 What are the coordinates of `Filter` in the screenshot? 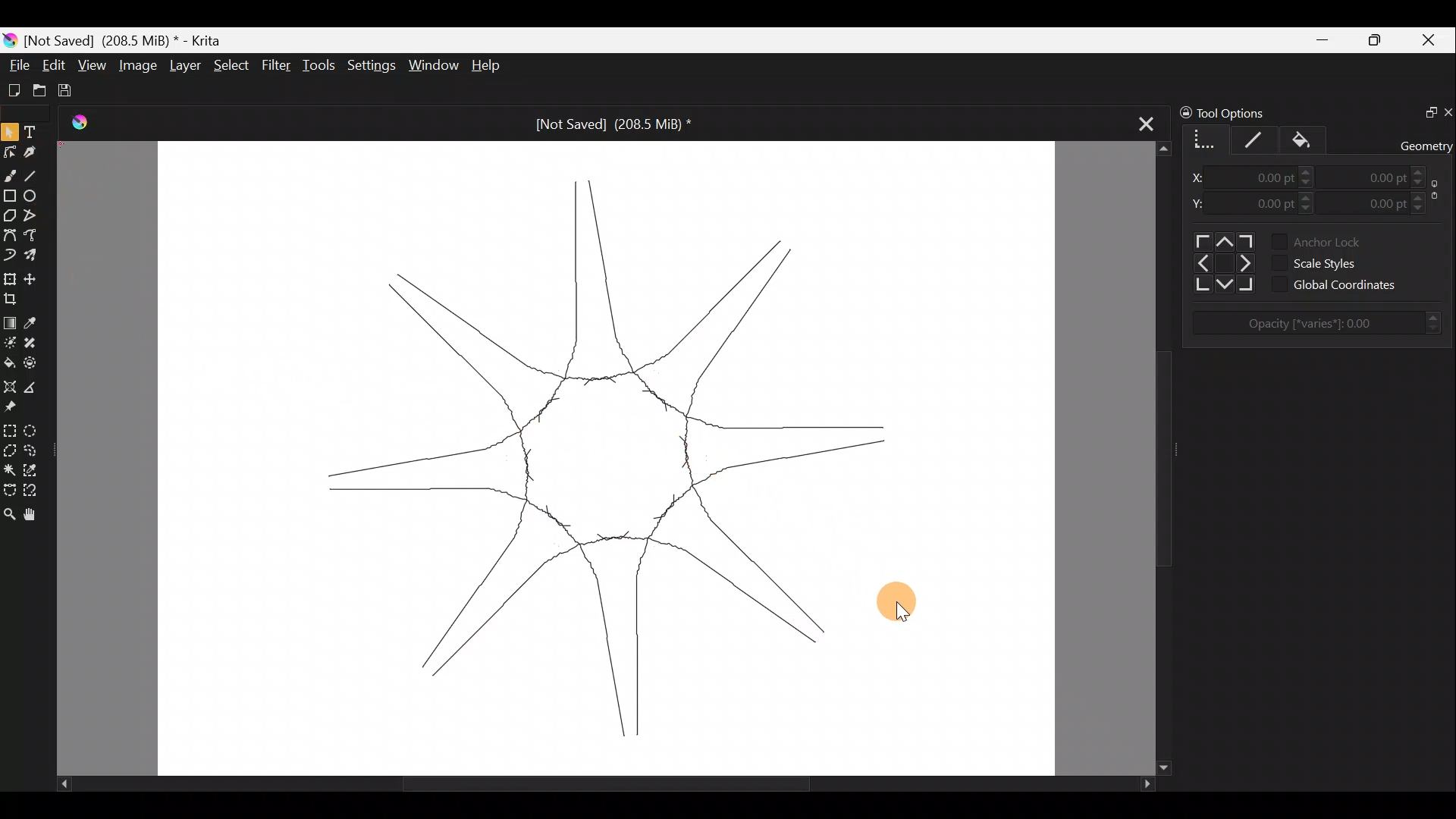 It's located at (279, 66).